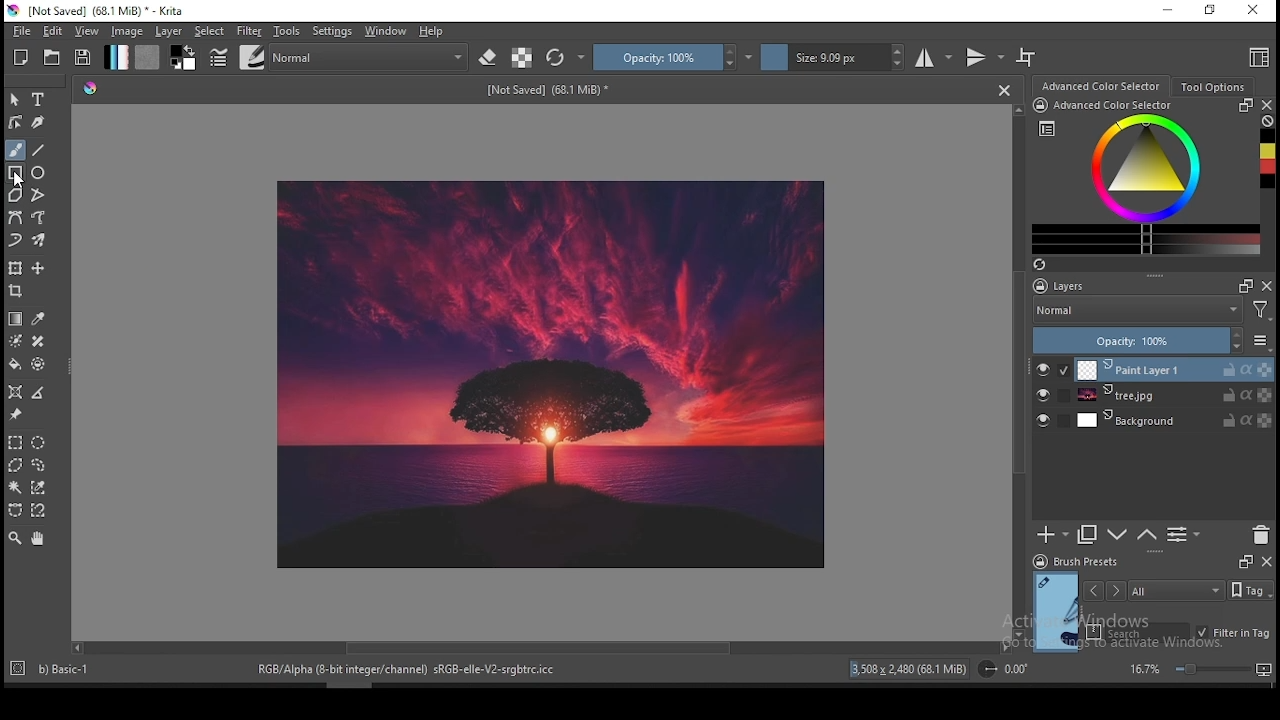  What do you see at coordinates (1268, 286) in the screenshot?
I see `close docker` at bounding box center [1268, 286].